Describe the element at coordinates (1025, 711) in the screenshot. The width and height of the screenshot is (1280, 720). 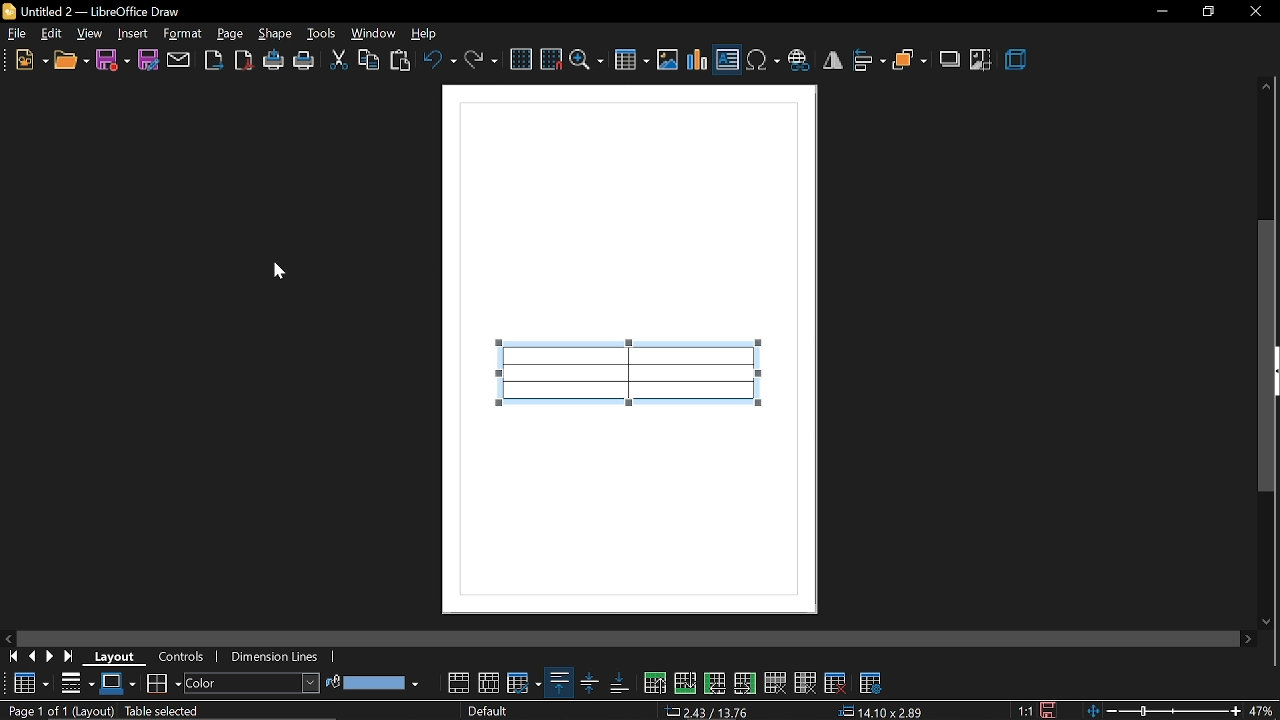
I see `1:1` at that location.